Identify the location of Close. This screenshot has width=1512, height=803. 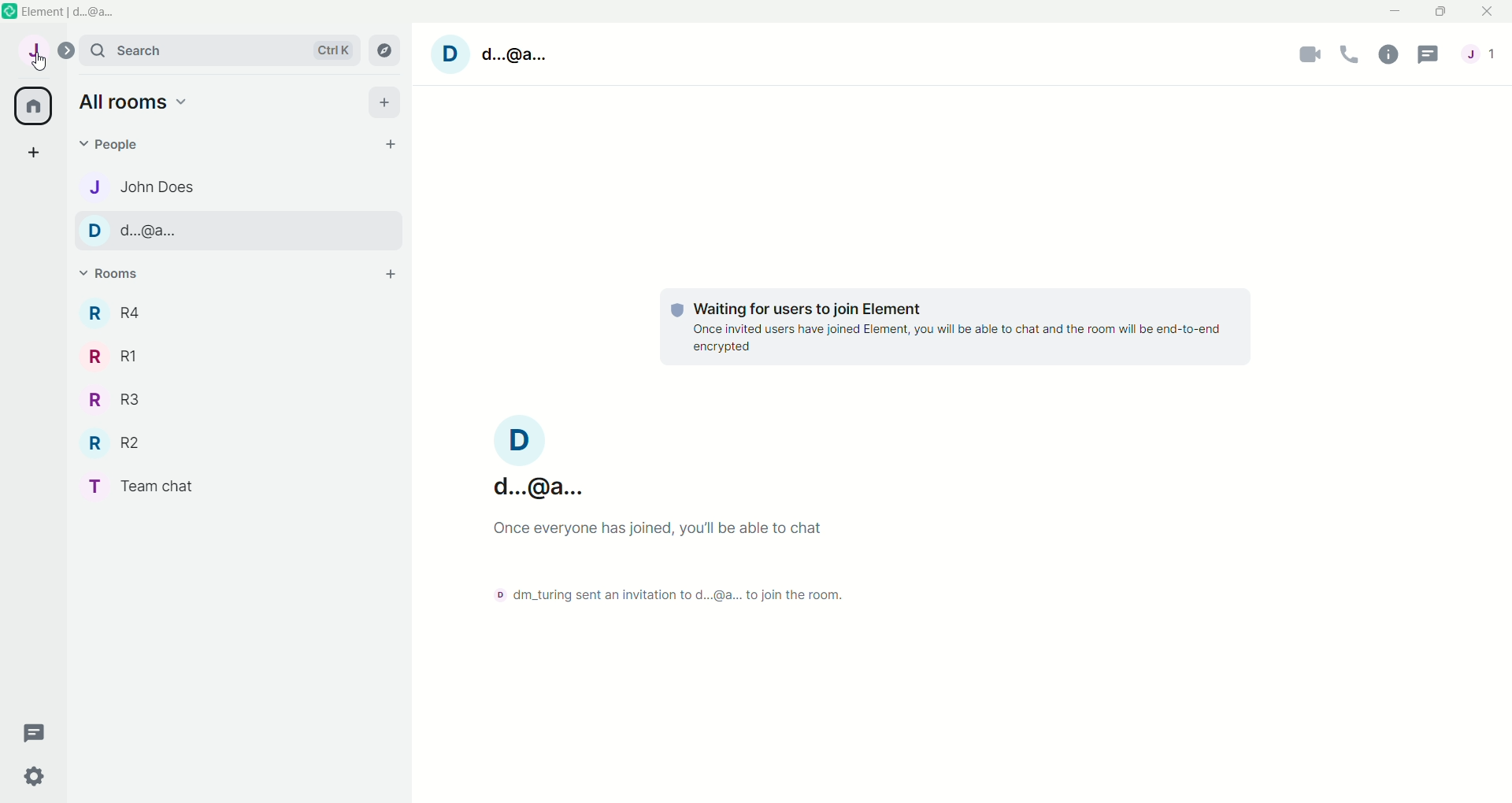
(1489, 13).